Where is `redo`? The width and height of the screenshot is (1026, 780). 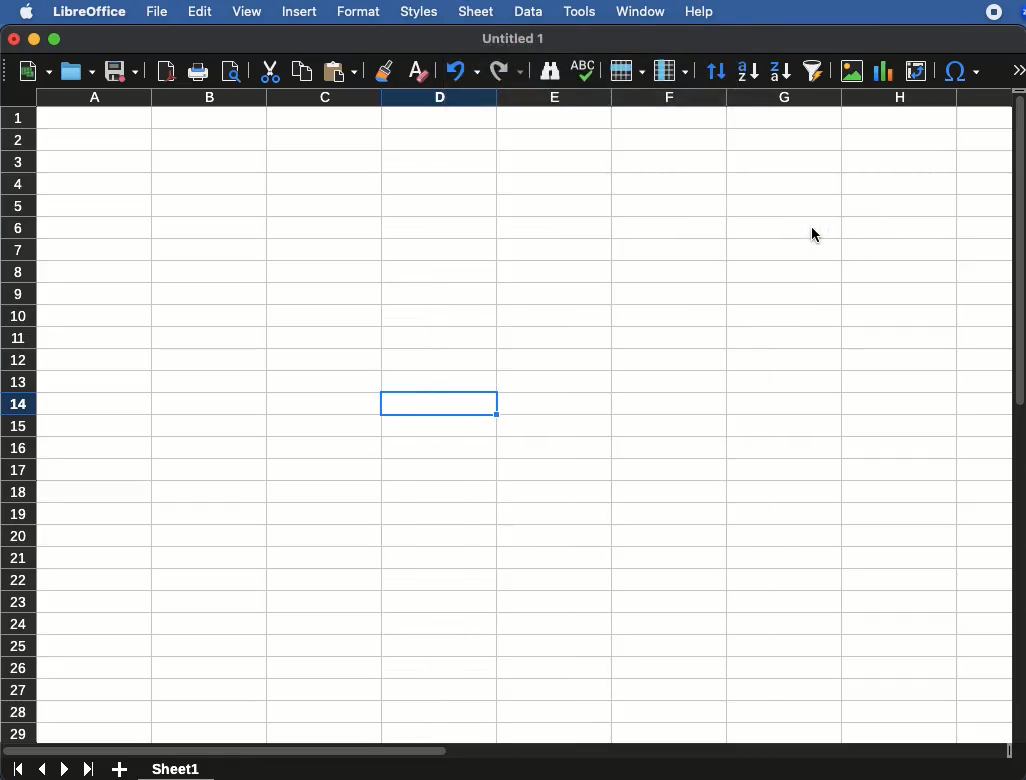 redo is located at coordinates (508, 71).